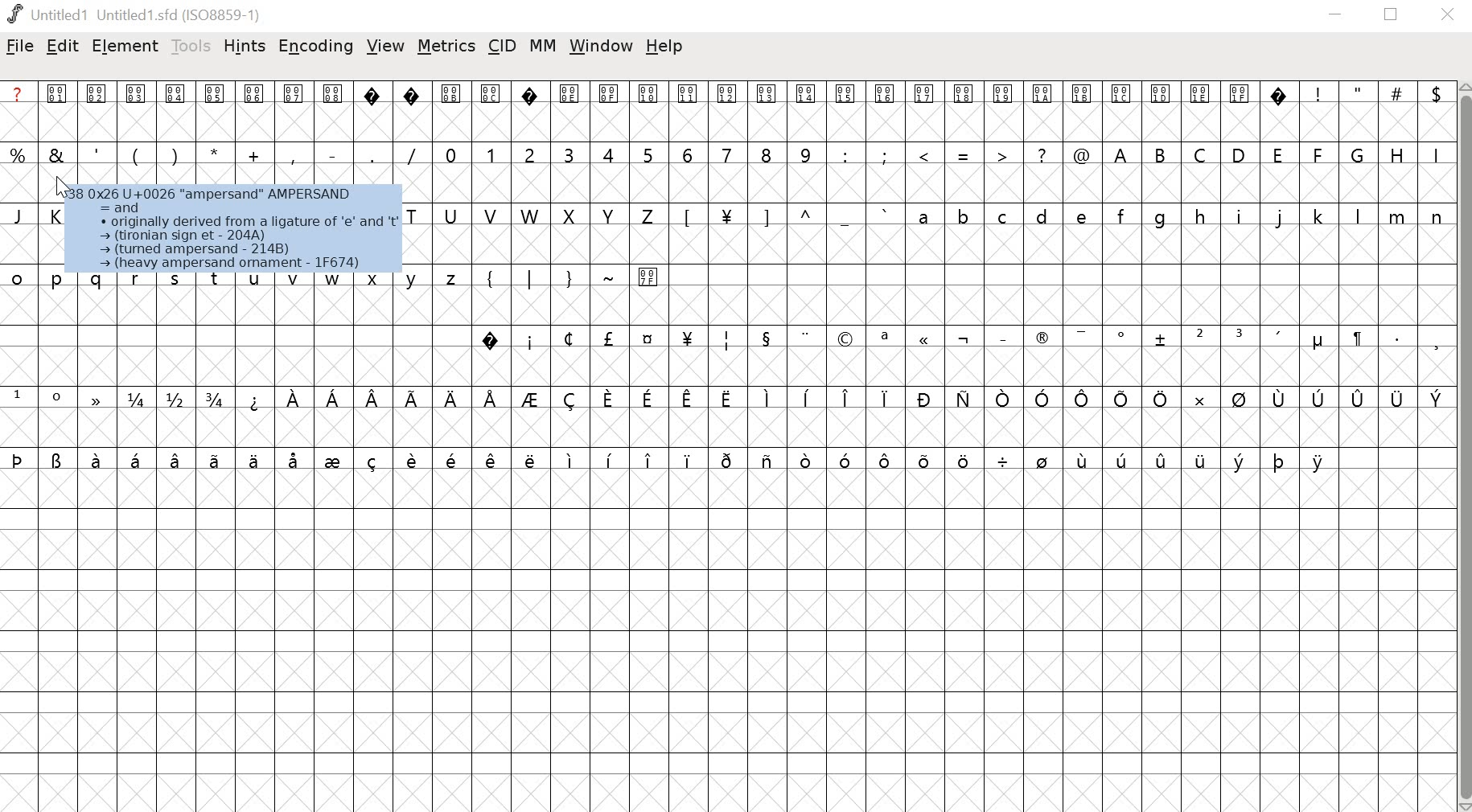 The height and width of the screenshot is (812, 1472). Describe the element at coordinates (376, 399) in the screenshot. I see `symbol` at that location.